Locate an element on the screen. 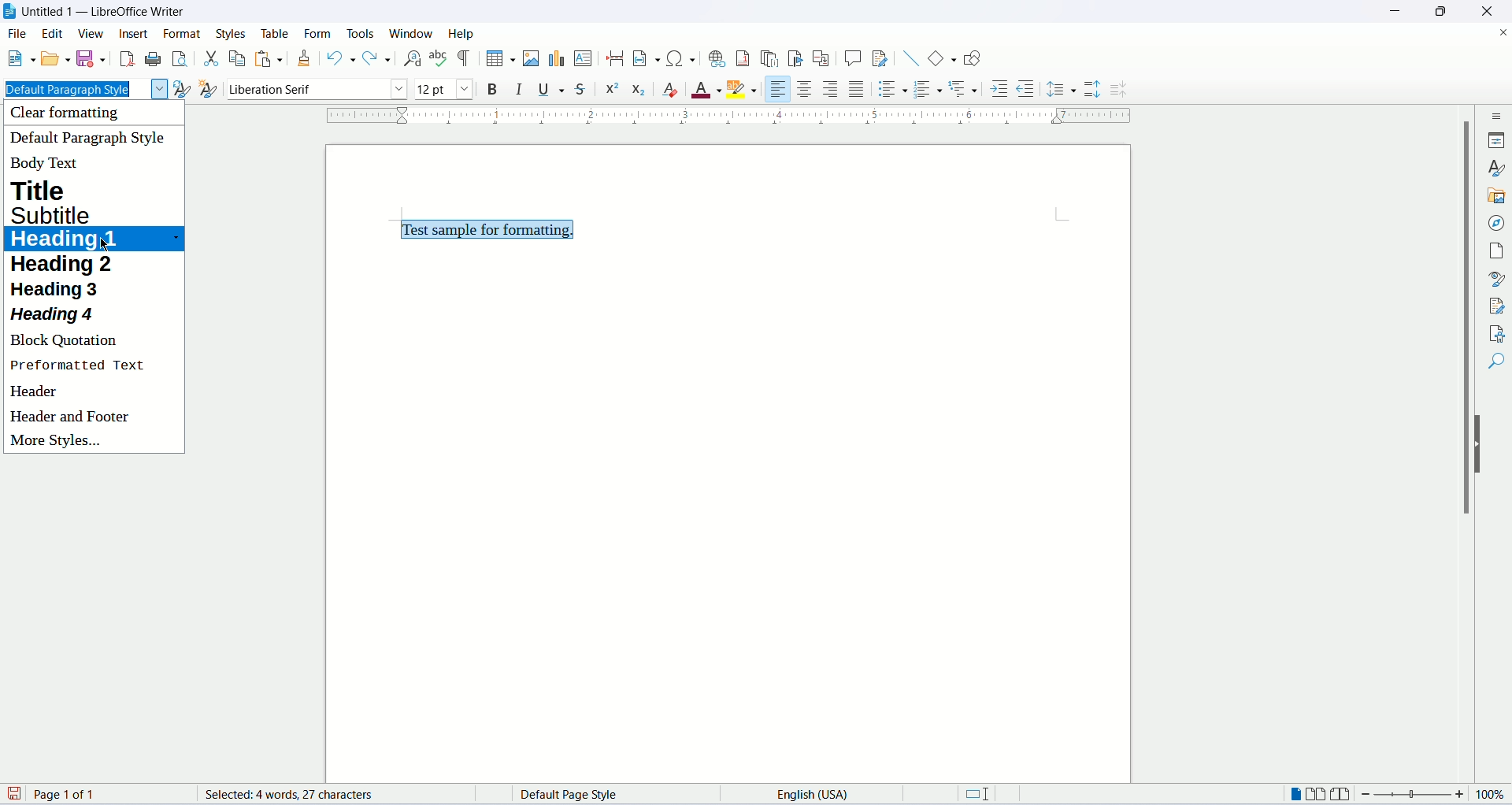  insert field is located at coordinates (644, 57).